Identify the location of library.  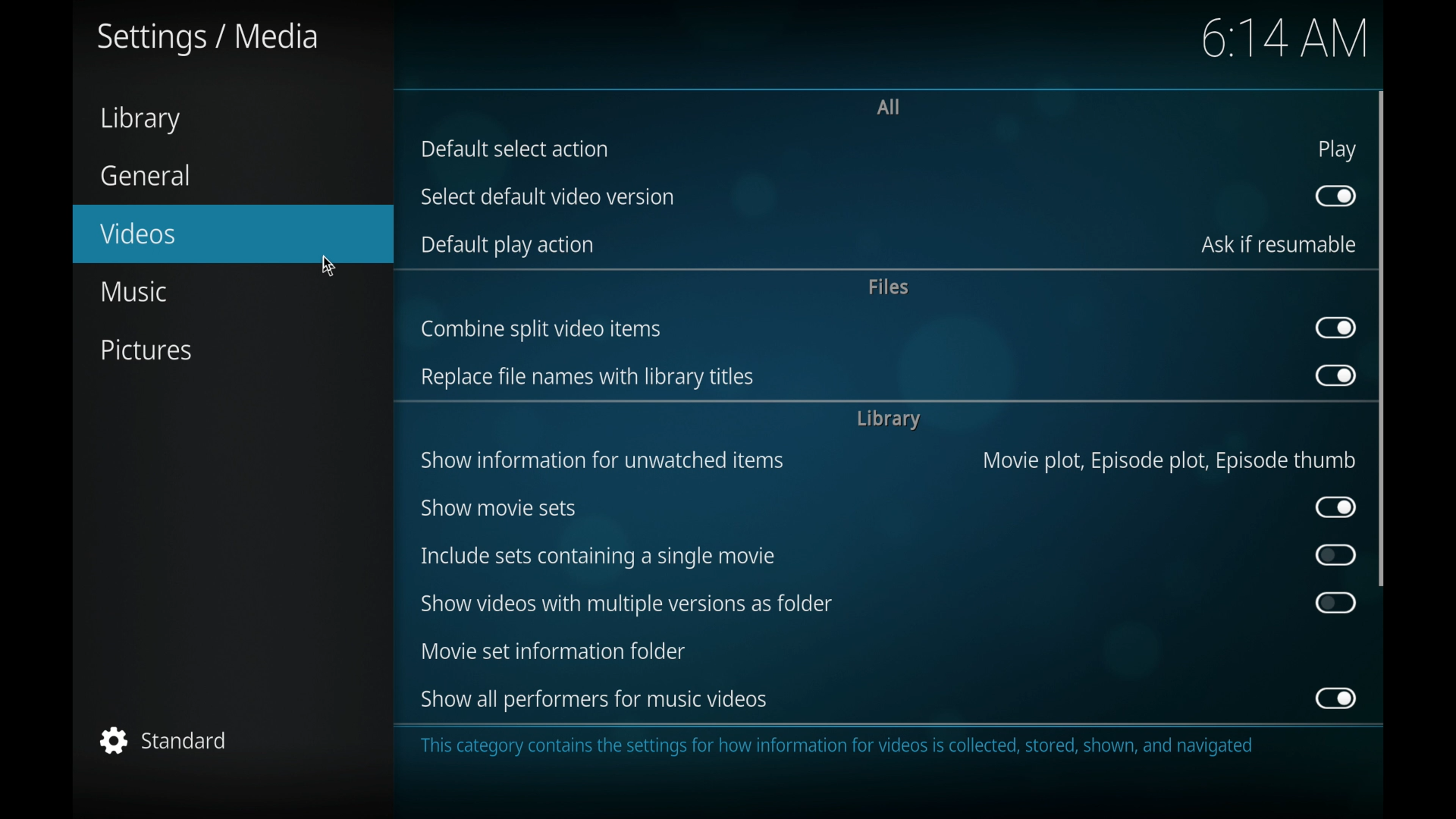
(888, 419).